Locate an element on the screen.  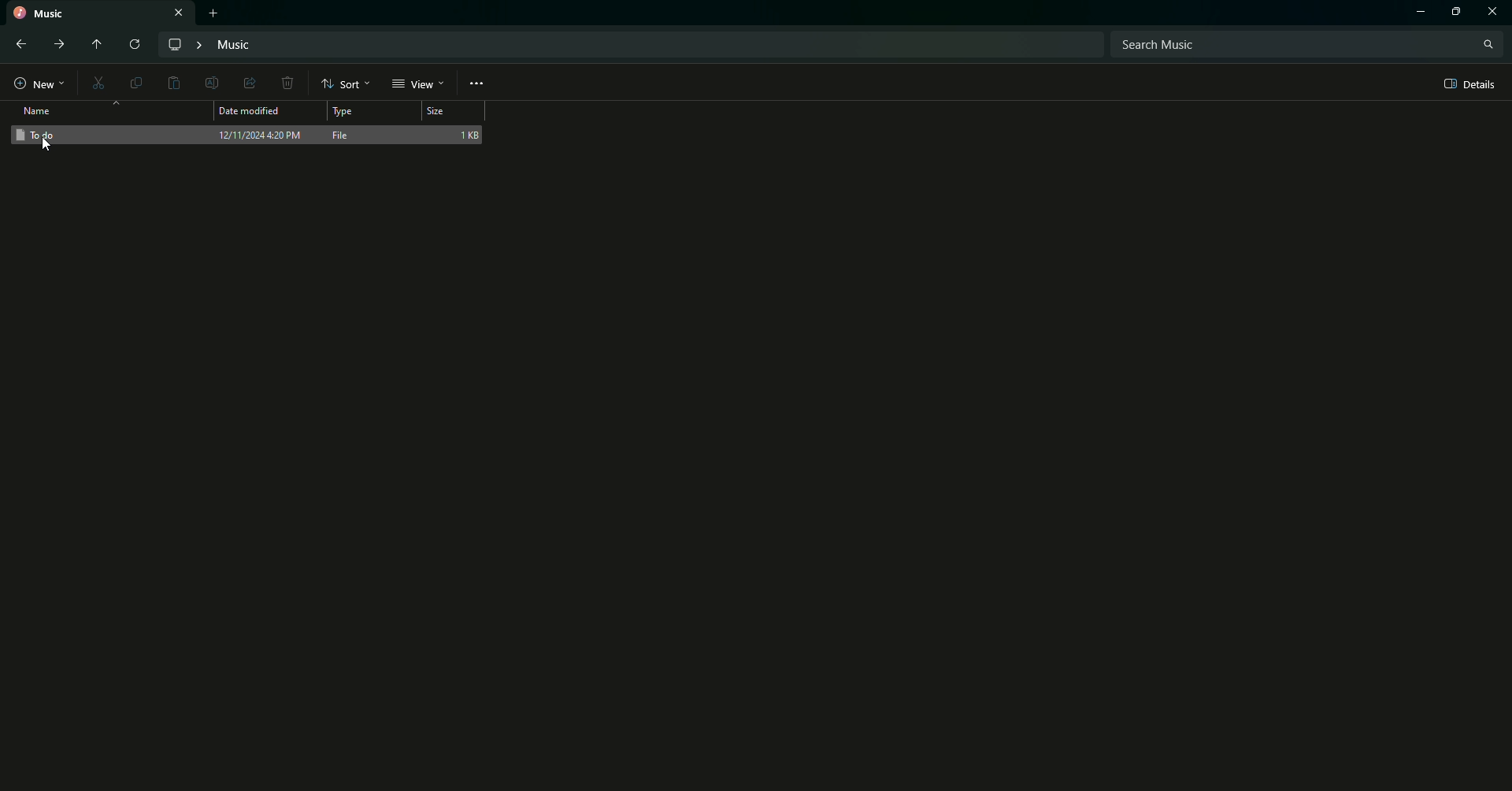
Edit is located at coordinates (212, 82).